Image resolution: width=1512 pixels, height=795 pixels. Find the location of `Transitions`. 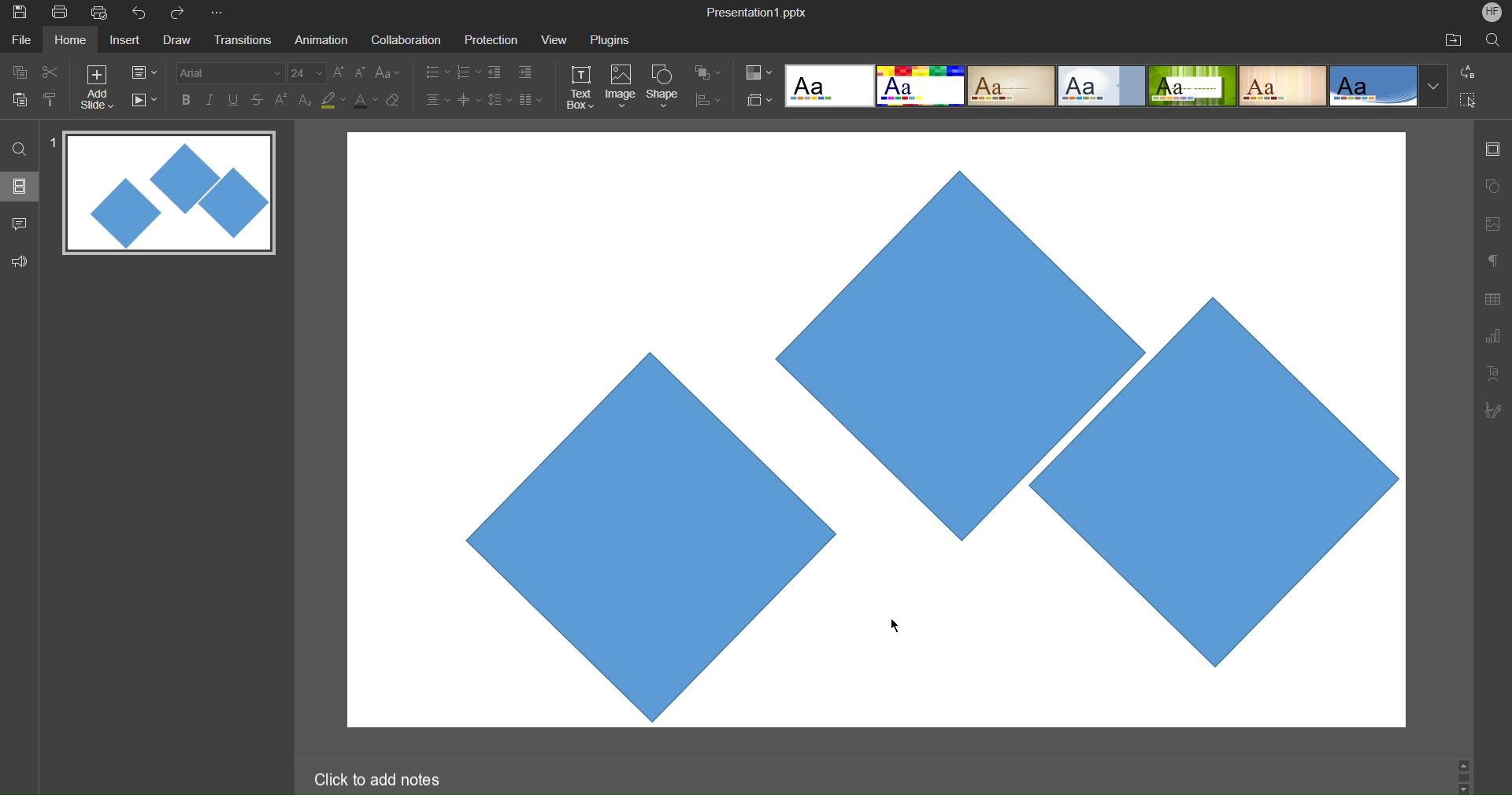

Transitions is located at coordinates (241, 41).